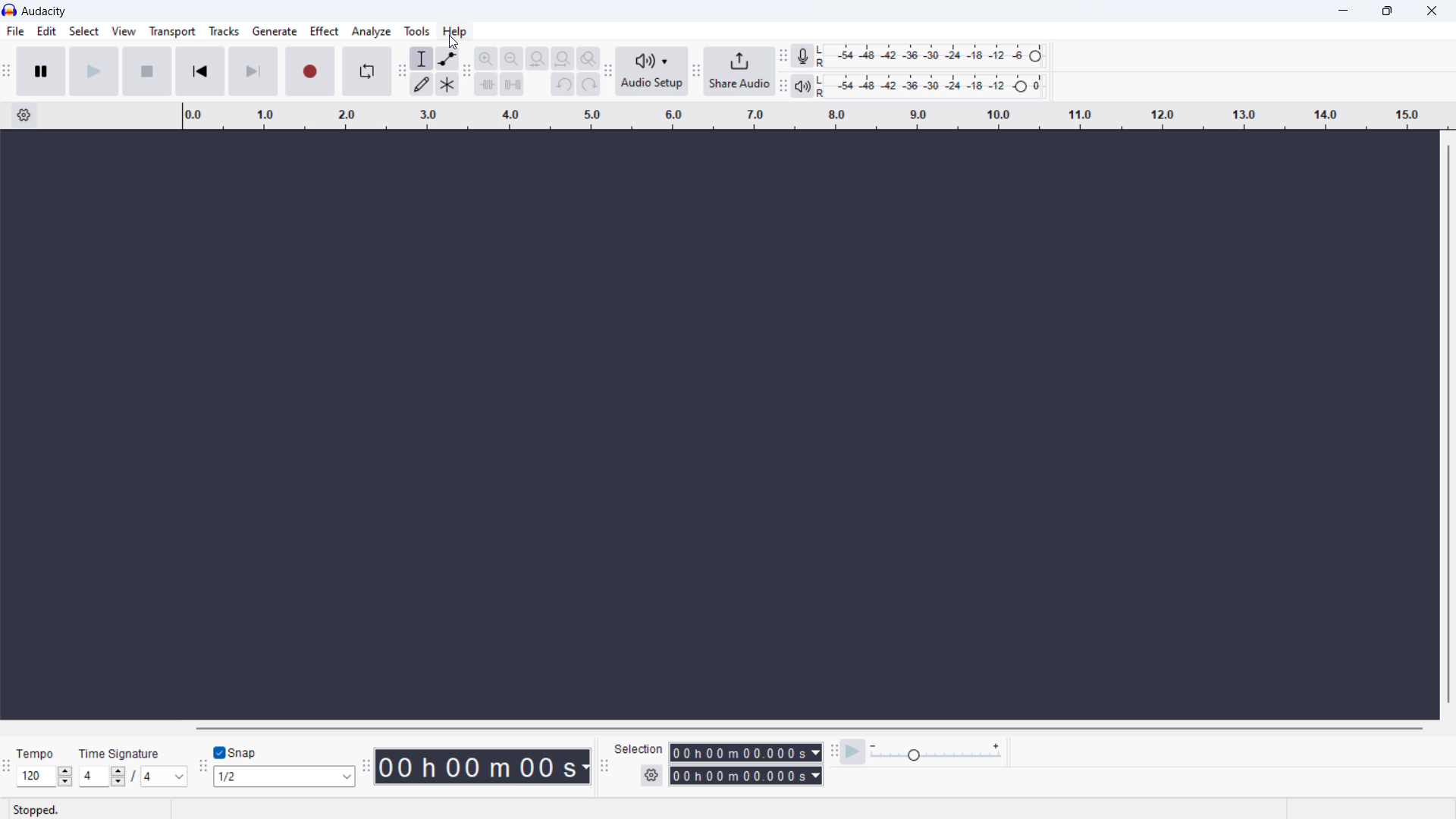  Describe the element at coordinates (36, 809) in the screenshot. I see `Stopped` at that location.